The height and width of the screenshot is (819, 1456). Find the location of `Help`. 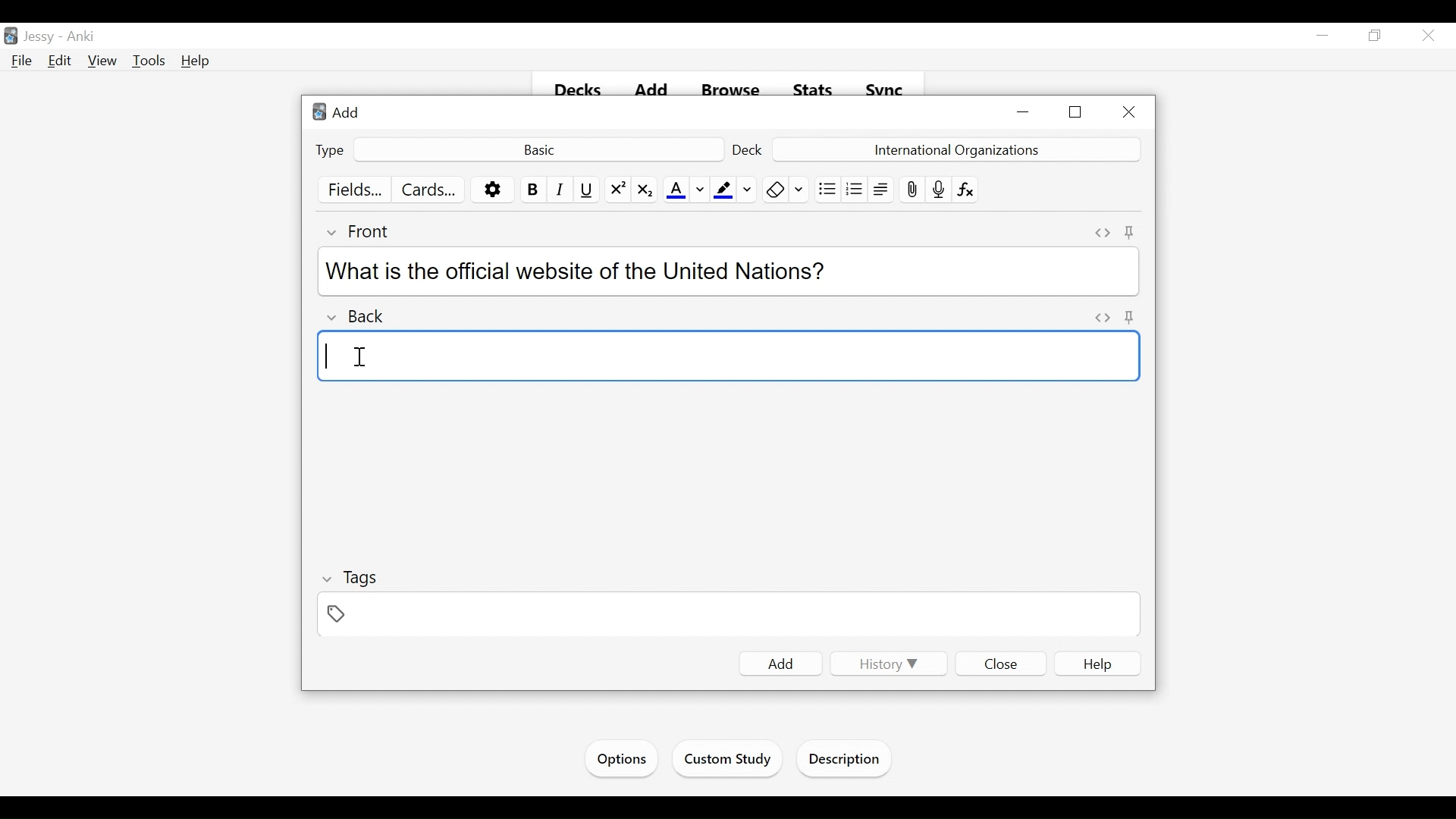

Help is located at coordinates (1097, 663).